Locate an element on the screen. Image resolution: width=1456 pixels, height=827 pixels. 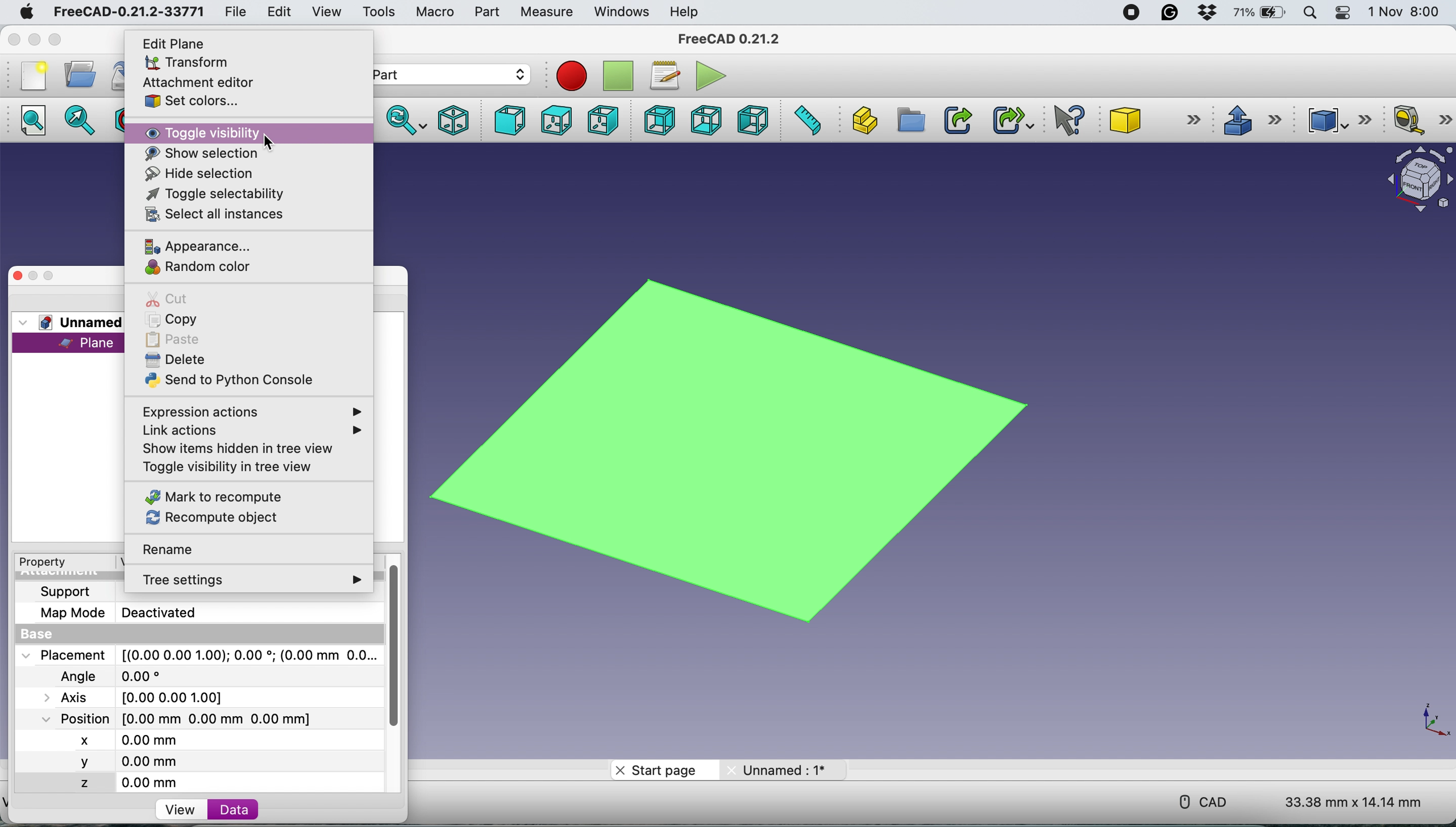
screen recorder is located at coordinates (1124, 12).